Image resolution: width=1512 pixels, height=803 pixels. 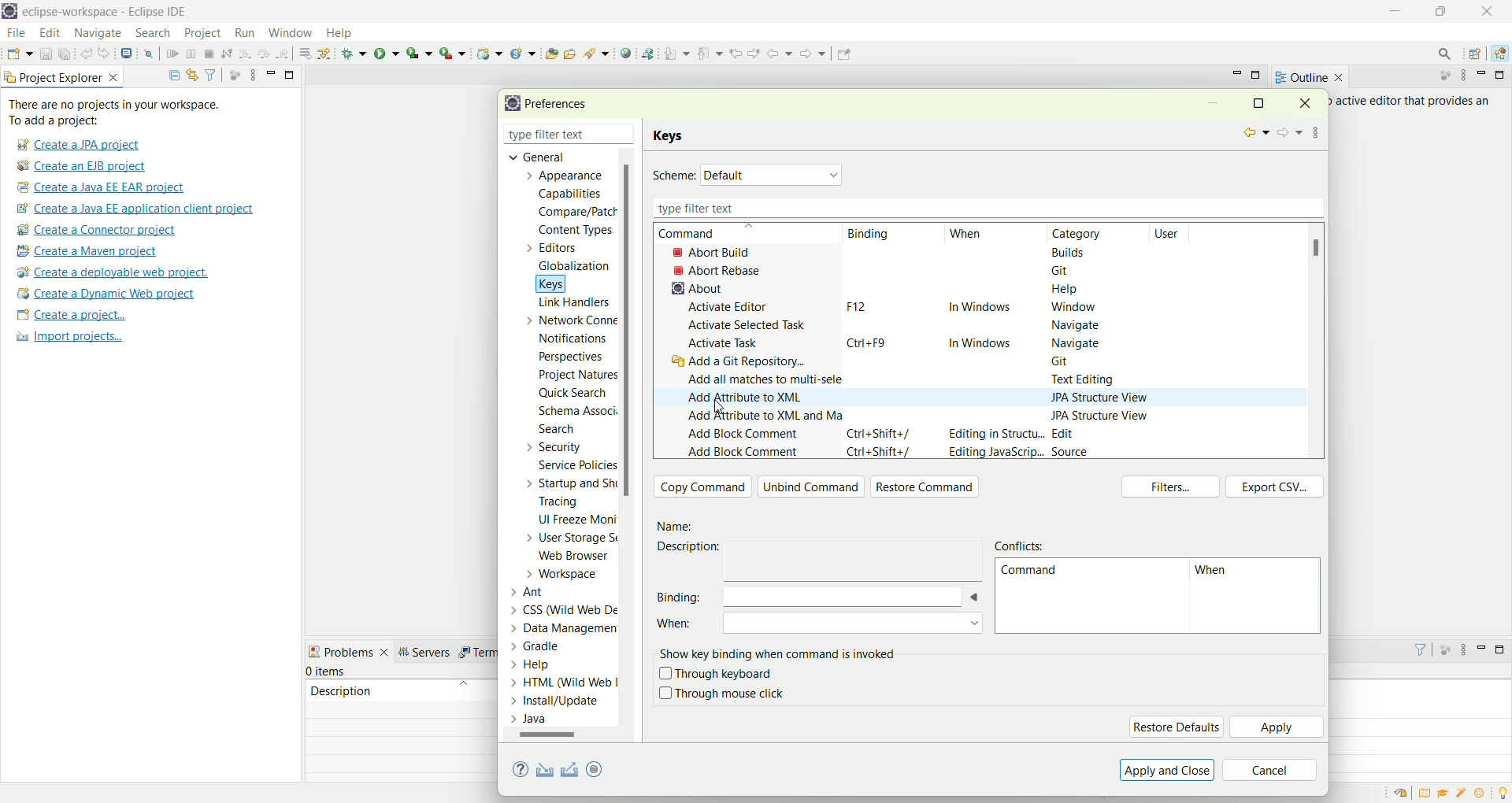 I want to click on export, so click(x=606, y=768).